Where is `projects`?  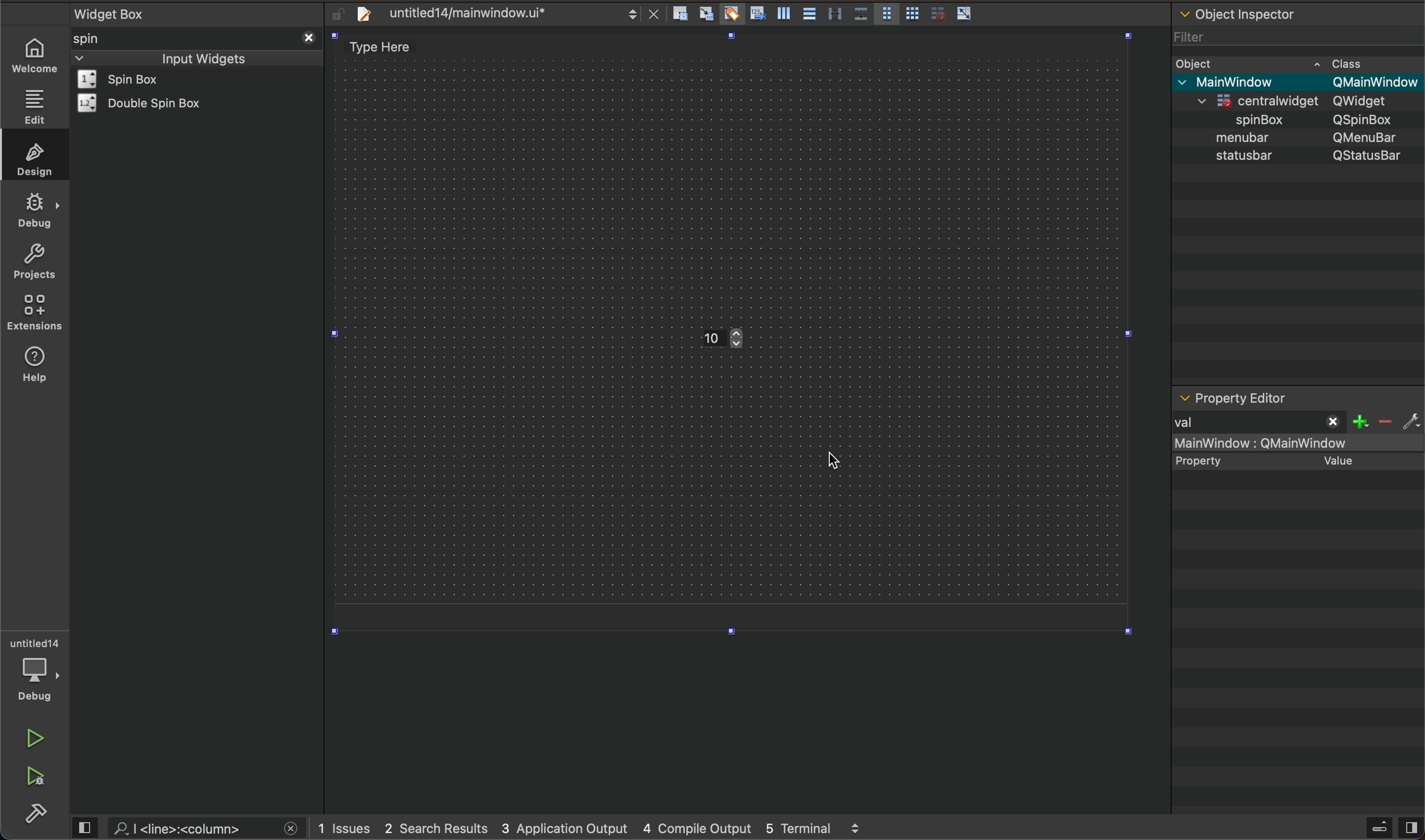
projects is located at coordinates (33, 261).